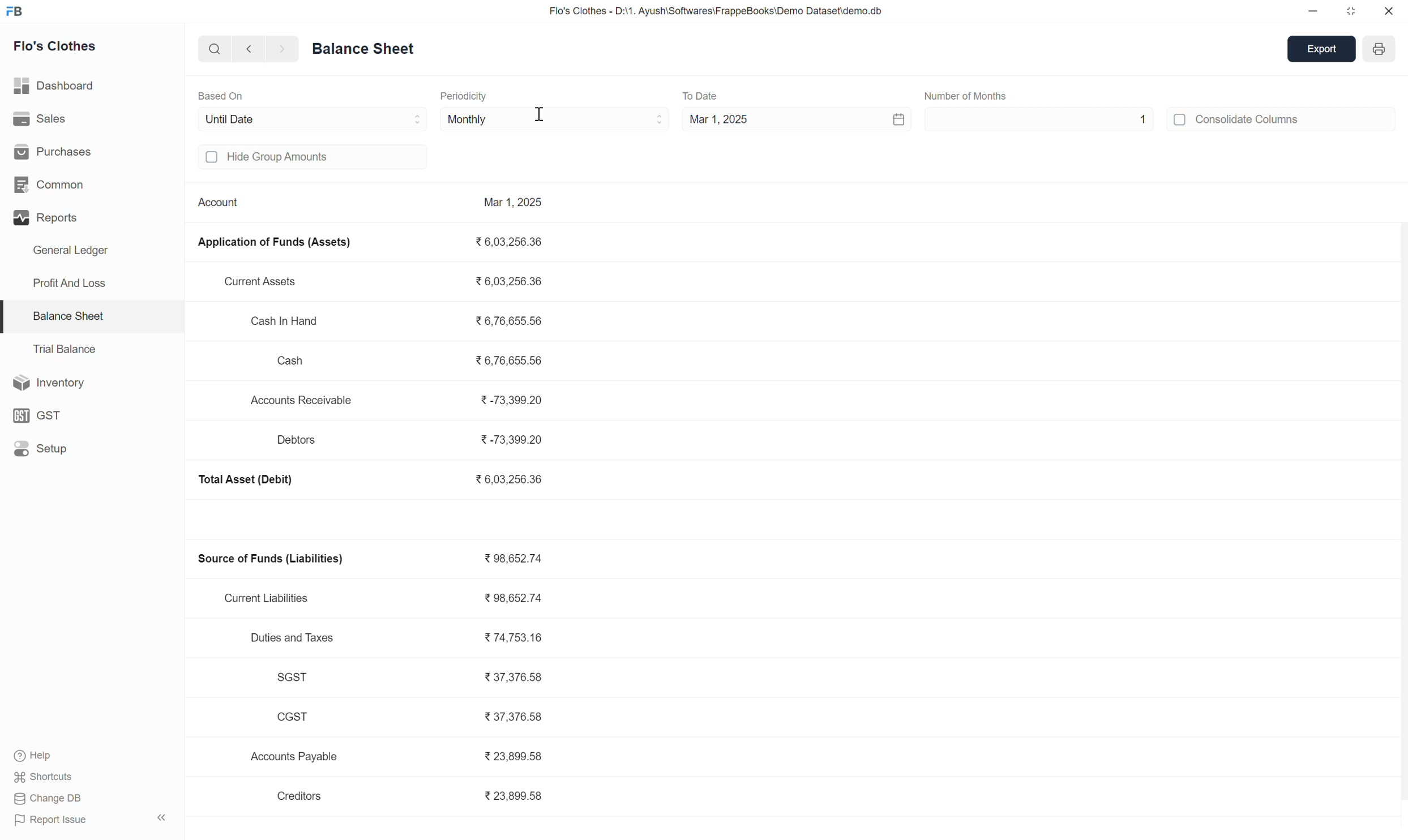  Describe the element at coordinates (469, 96) in the screenshot. I see `Periodicity` at that location.